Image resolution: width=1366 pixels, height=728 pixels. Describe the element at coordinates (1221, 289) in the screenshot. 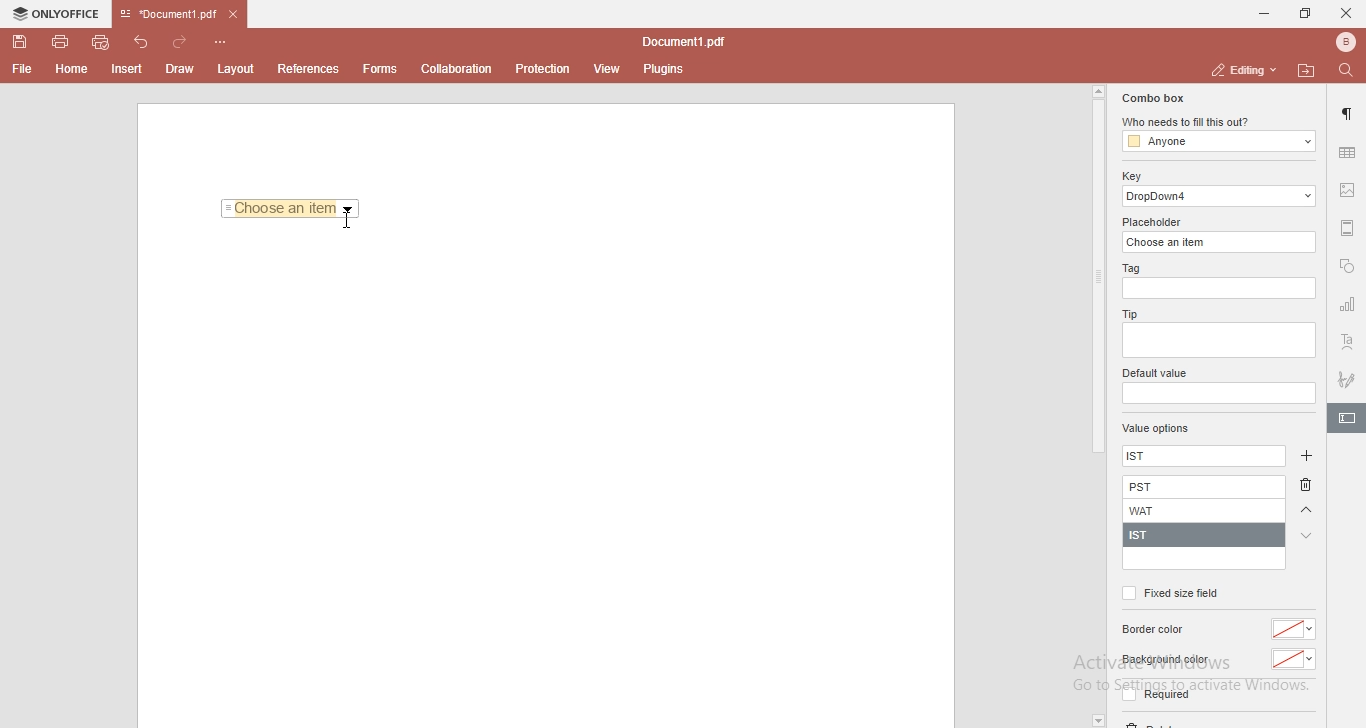

I see `empty box` at that location.